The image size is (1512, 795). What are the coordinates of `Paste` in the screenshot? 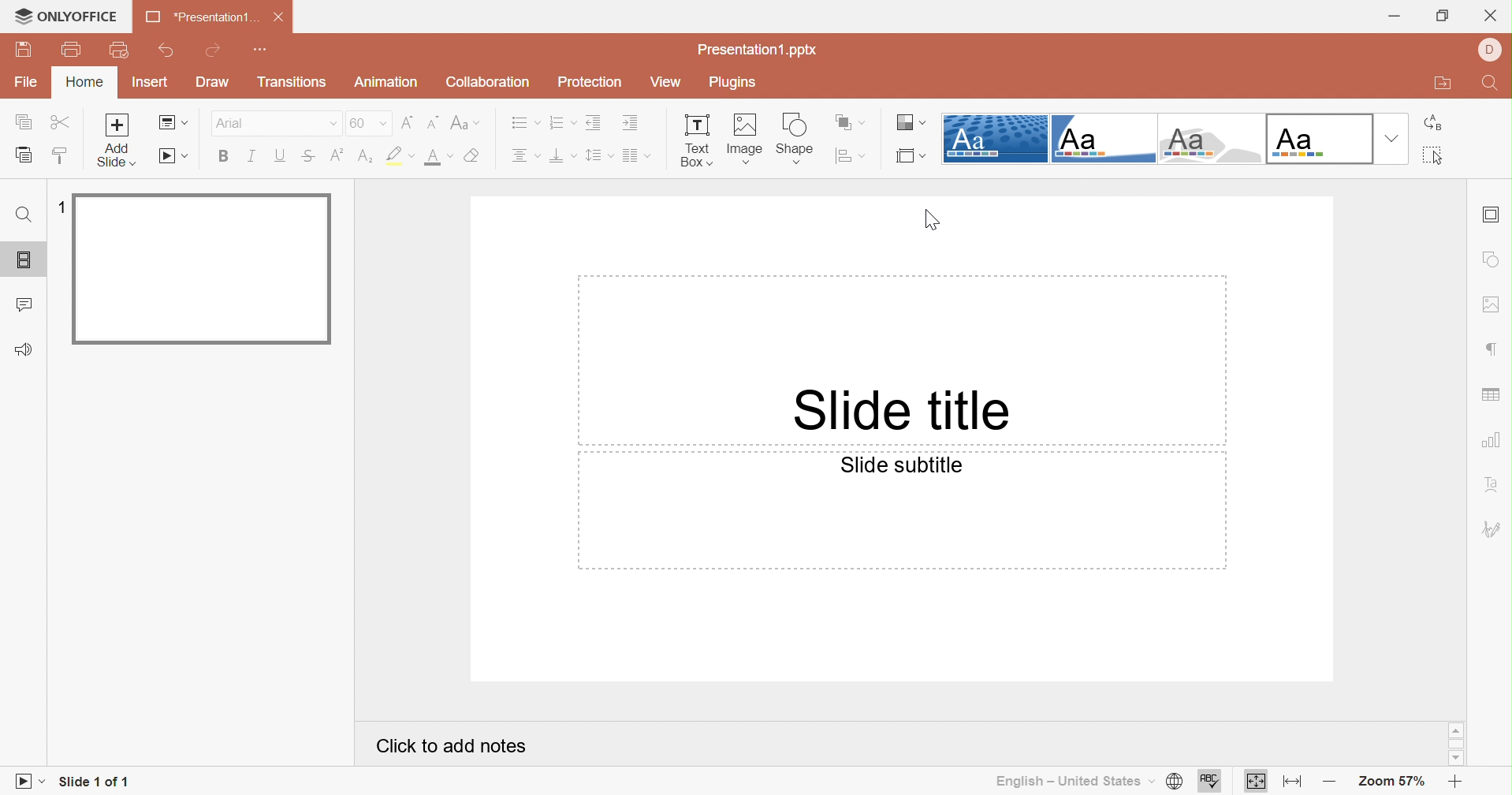 It's located at (27, 157).